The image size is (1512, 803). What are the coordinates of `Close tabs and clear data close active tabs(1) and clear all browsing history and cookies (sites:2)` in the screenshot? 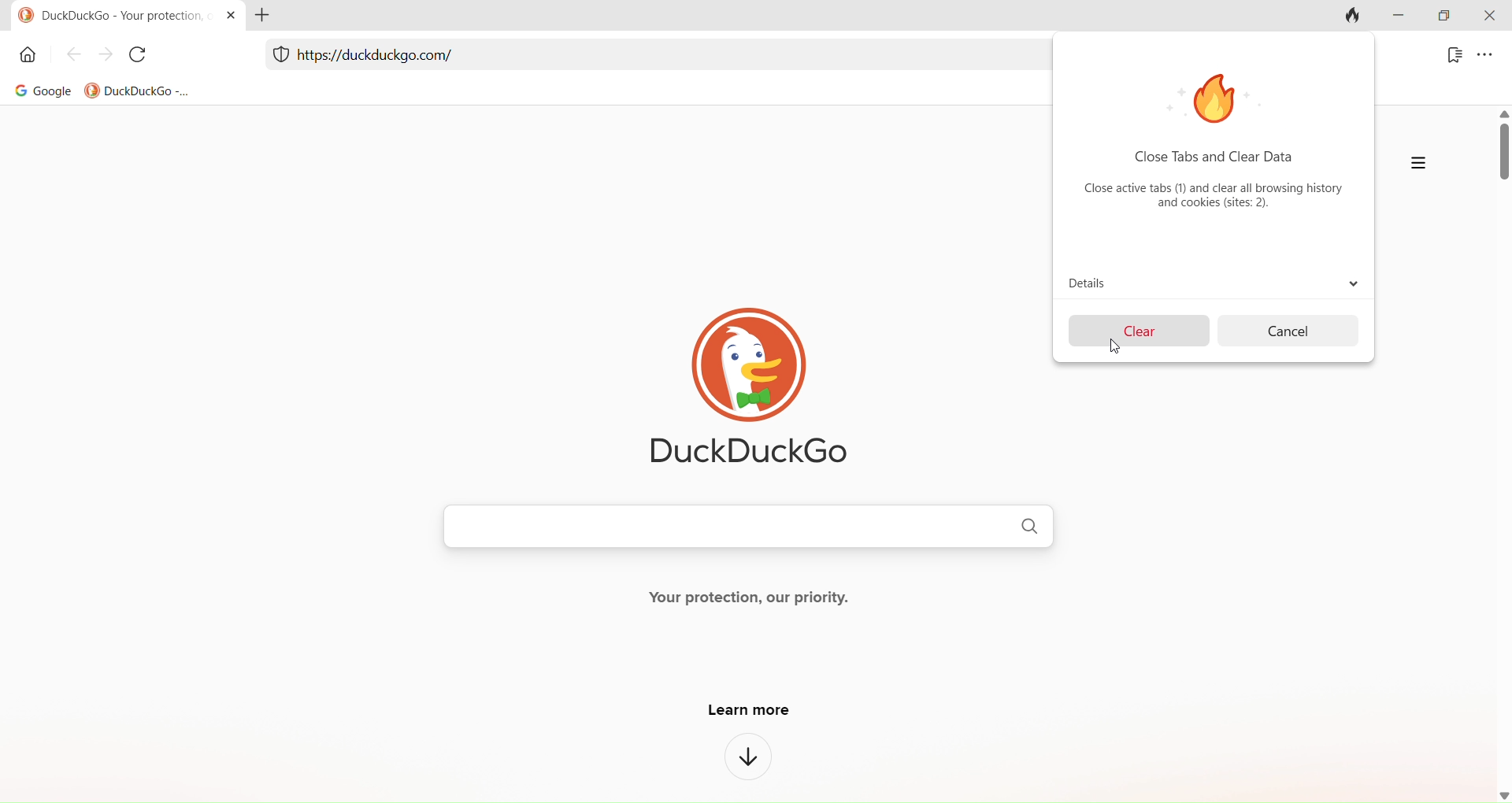 It's located at (1216, 140).